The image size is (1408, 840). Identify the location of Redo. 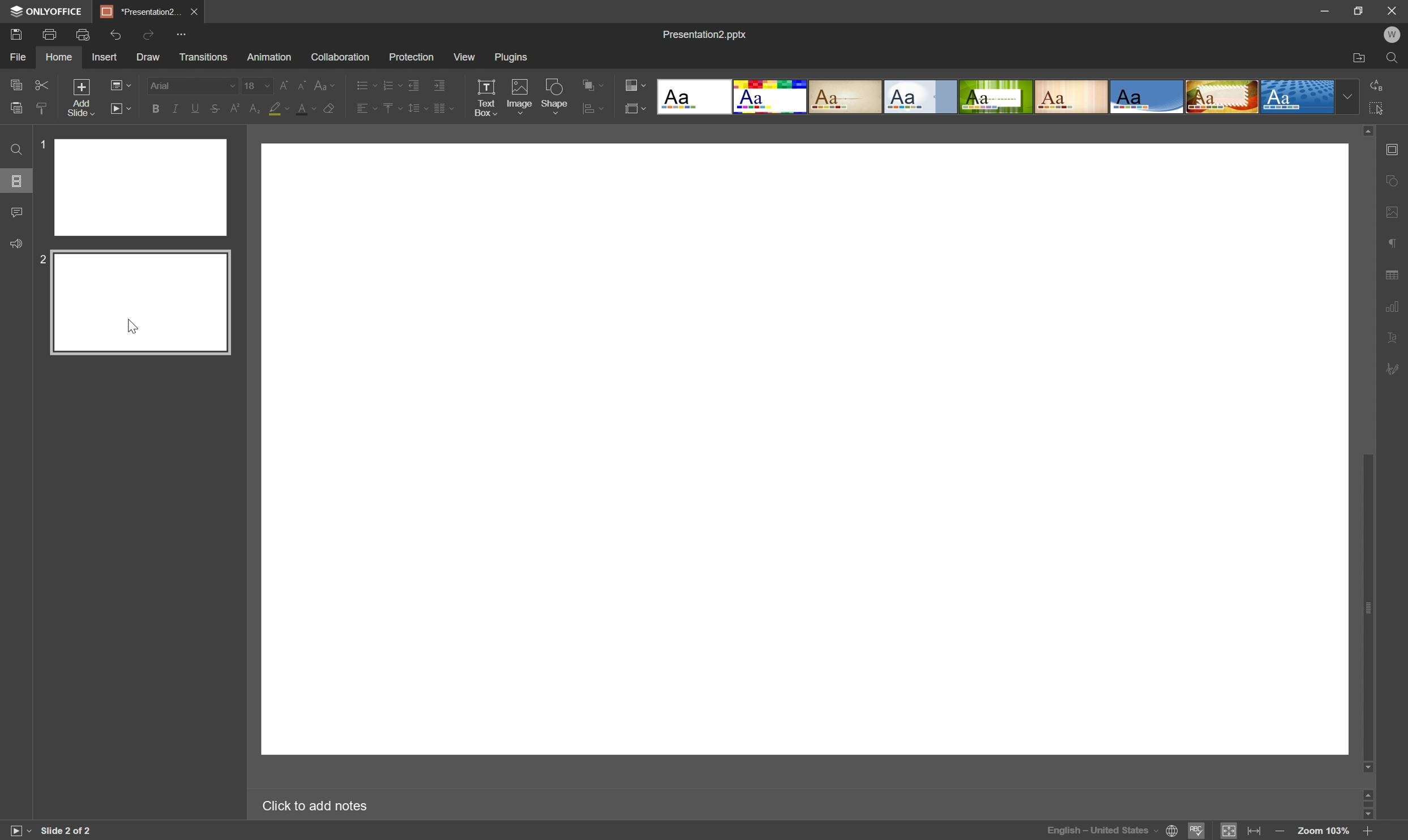
(120, 36).